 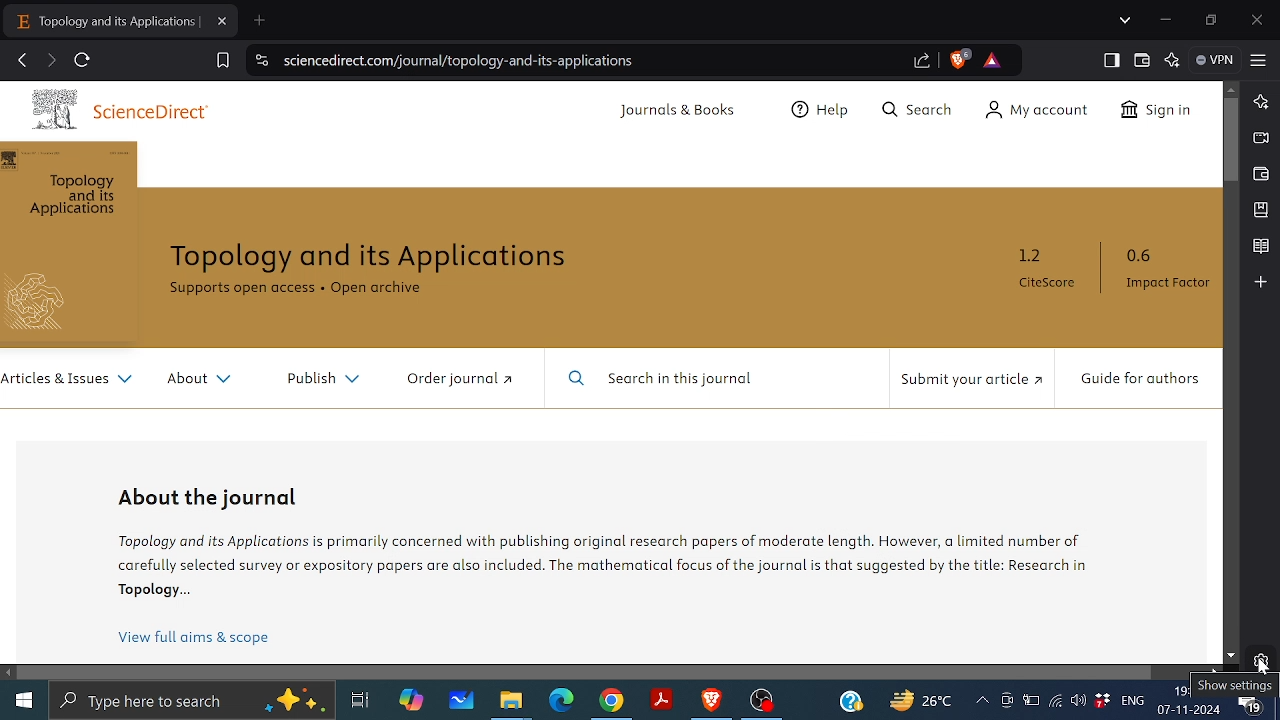 I want to click on cursor, so click(x=1263, y=668).